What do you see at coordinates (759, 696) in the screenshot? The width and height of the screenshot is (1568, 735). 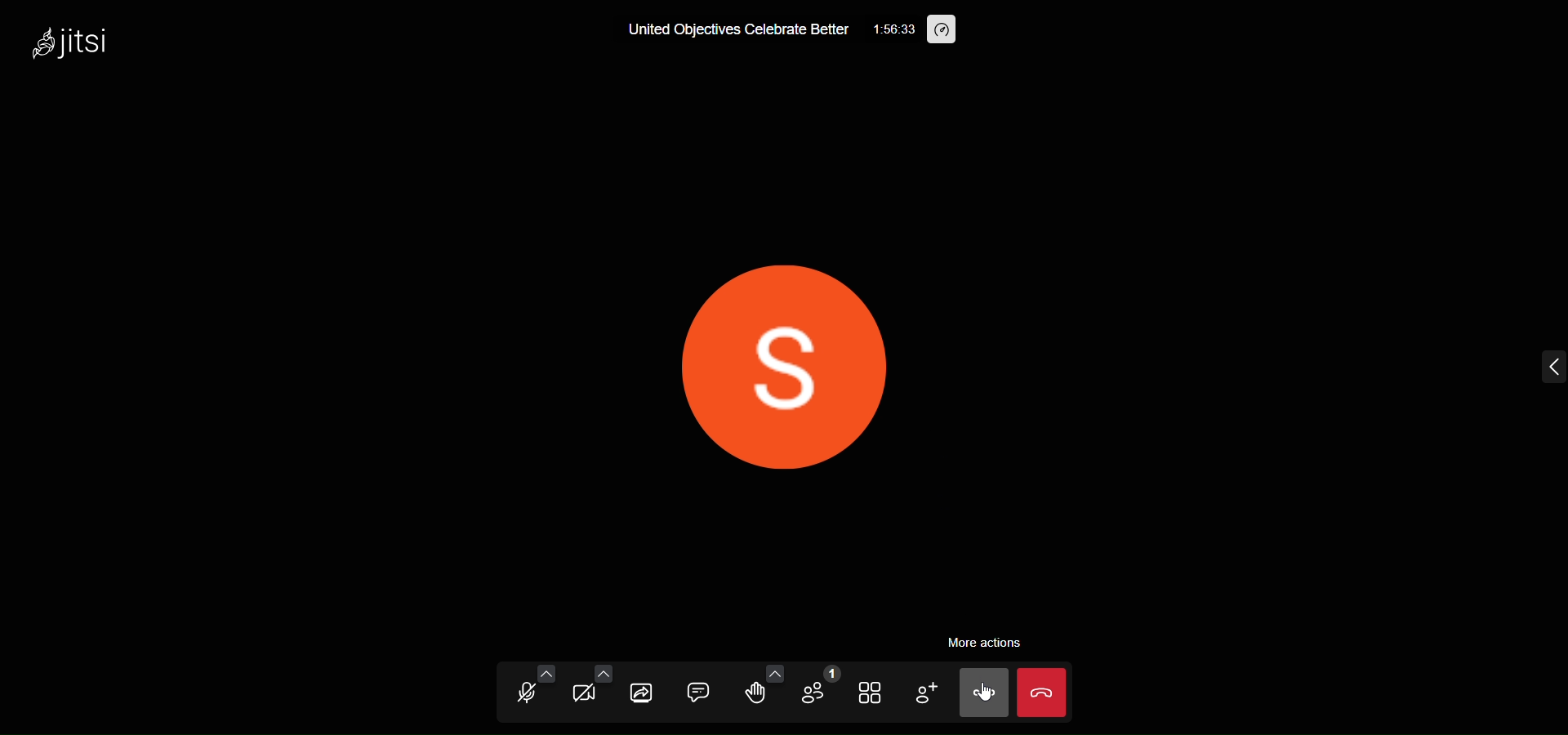 I see `raise hand` at bounding box center [759, 696].